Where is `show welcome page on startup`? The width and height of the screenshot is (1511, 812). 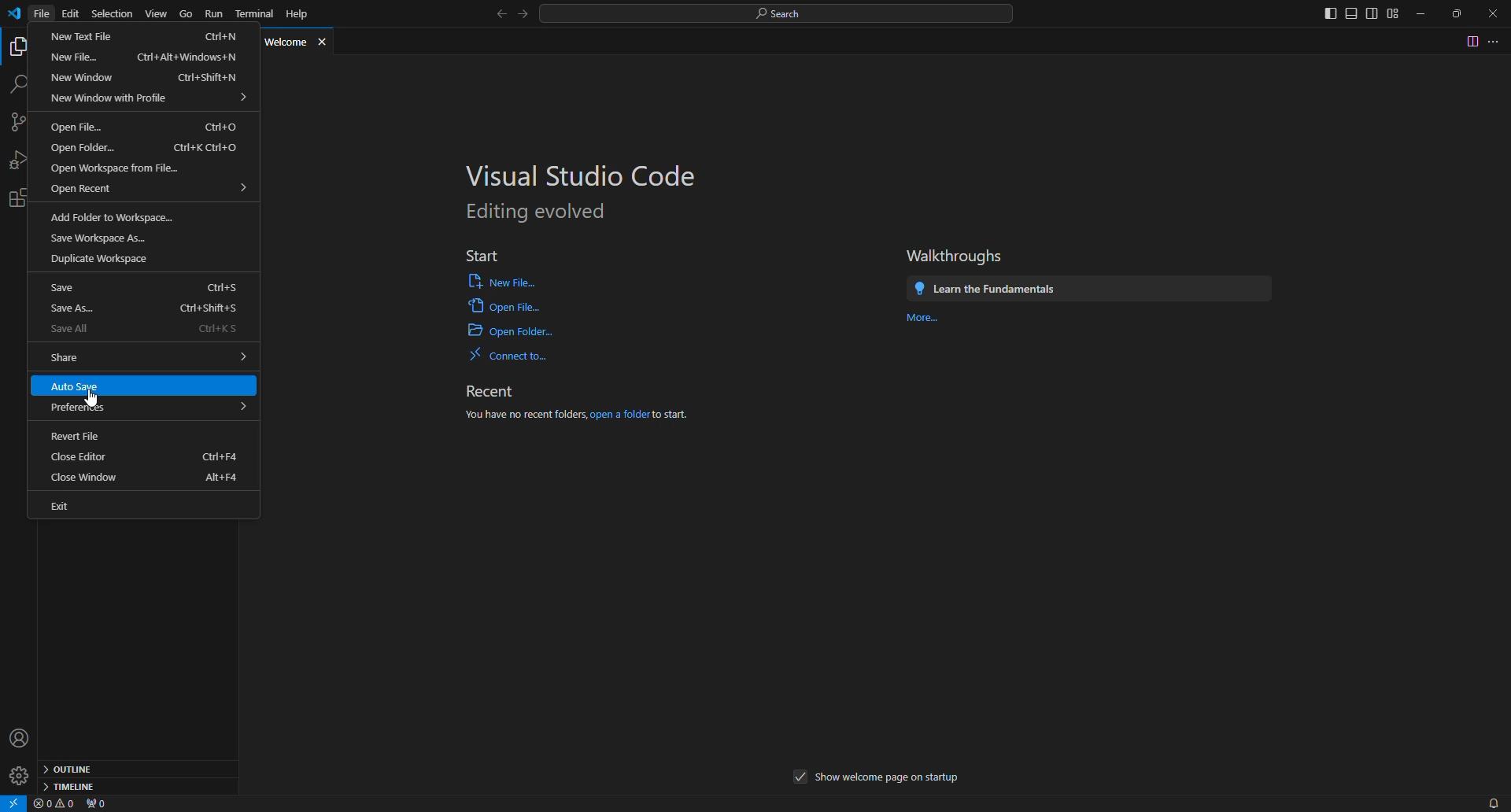
show welcome page on startup is located at coordinates (889, 779).